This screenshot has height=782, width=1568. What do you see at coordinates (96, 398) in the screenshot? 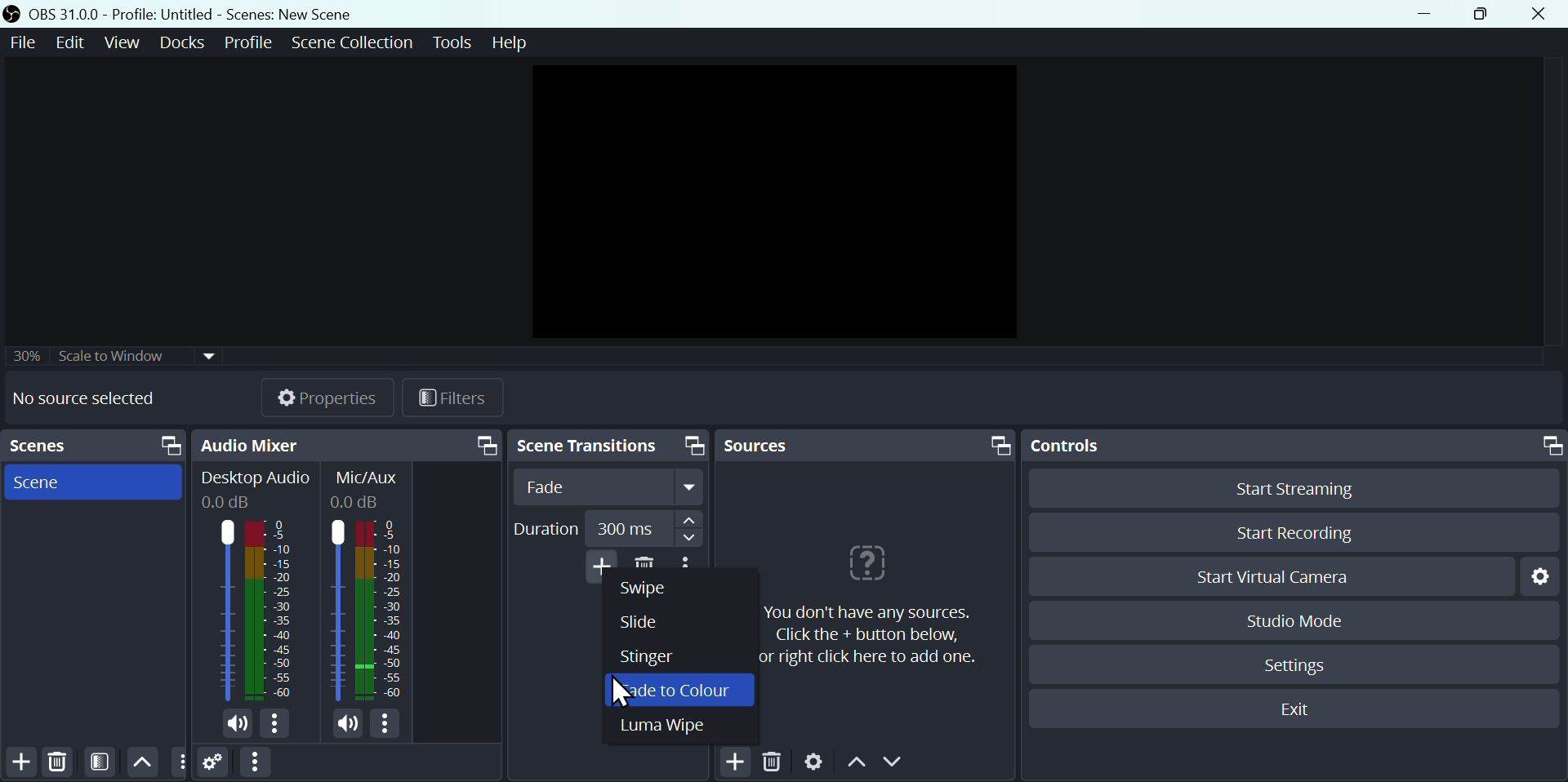
I see `No source selected` at bounding box center [96, 398].